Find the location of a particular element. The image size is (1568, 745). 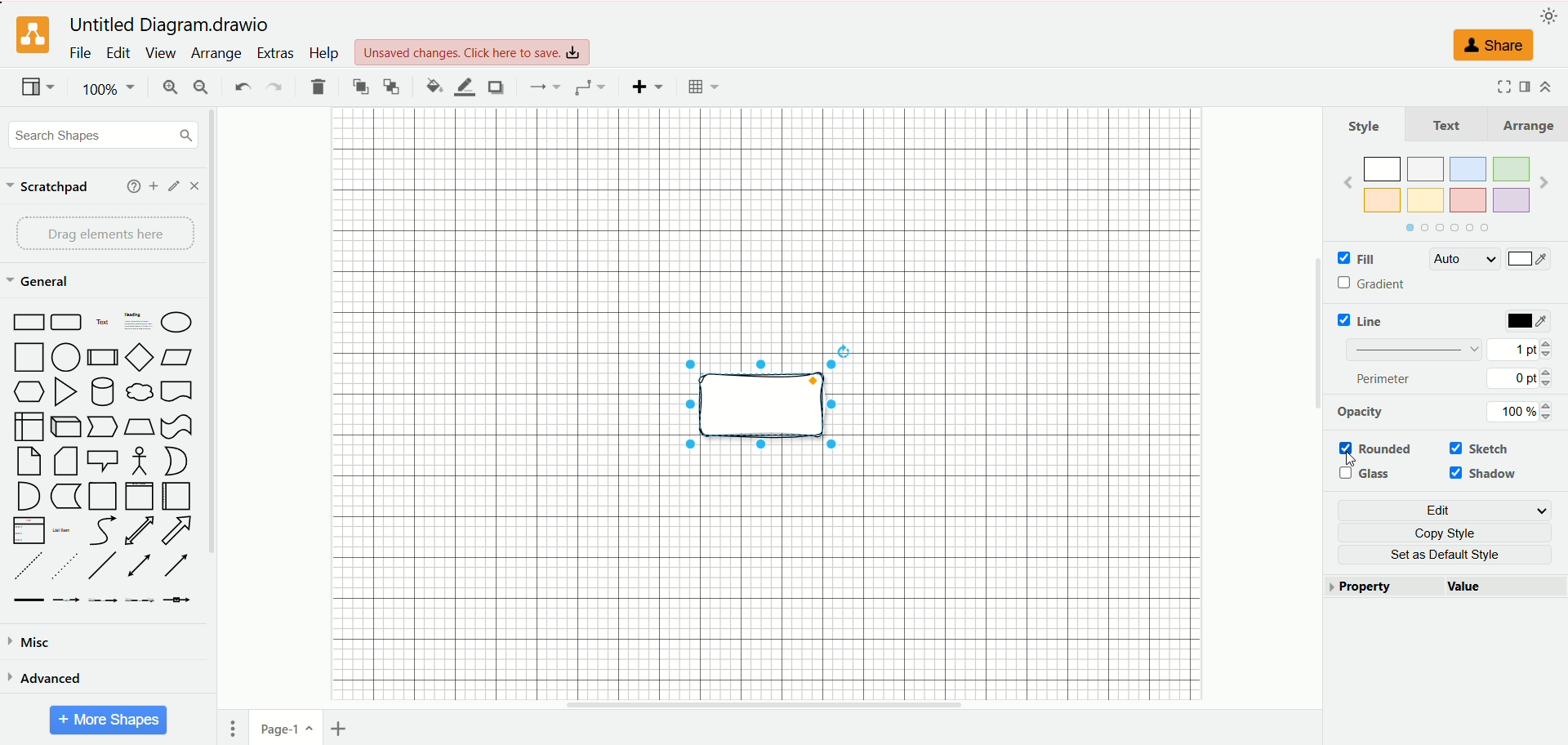

100% is located at coordinates (1525, 412).